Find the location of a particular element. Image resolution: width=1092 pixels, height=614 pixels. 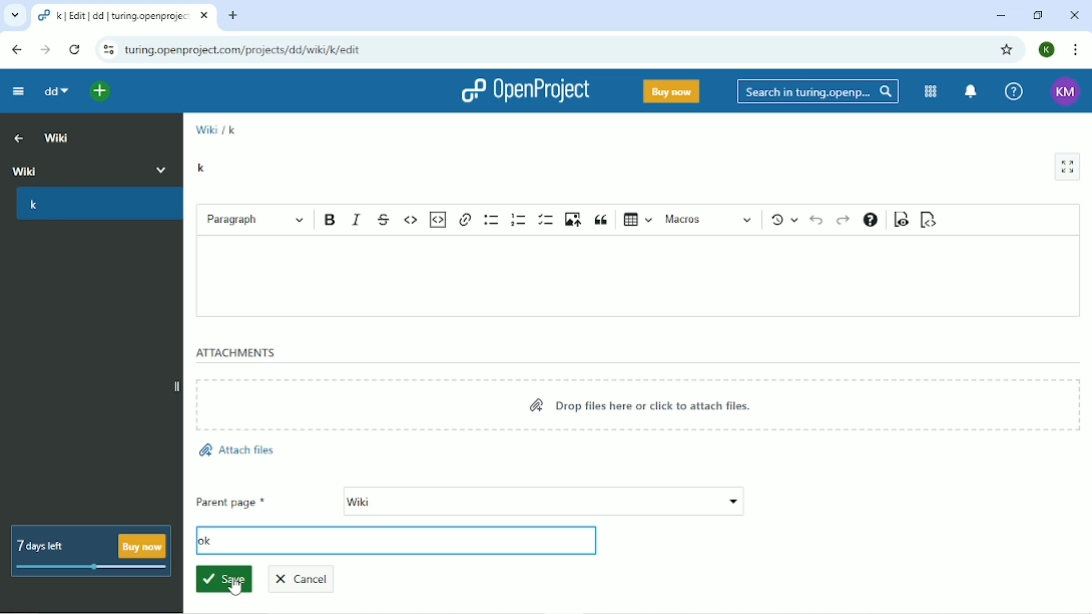

Reload this page is located at coordinates (74, 50).